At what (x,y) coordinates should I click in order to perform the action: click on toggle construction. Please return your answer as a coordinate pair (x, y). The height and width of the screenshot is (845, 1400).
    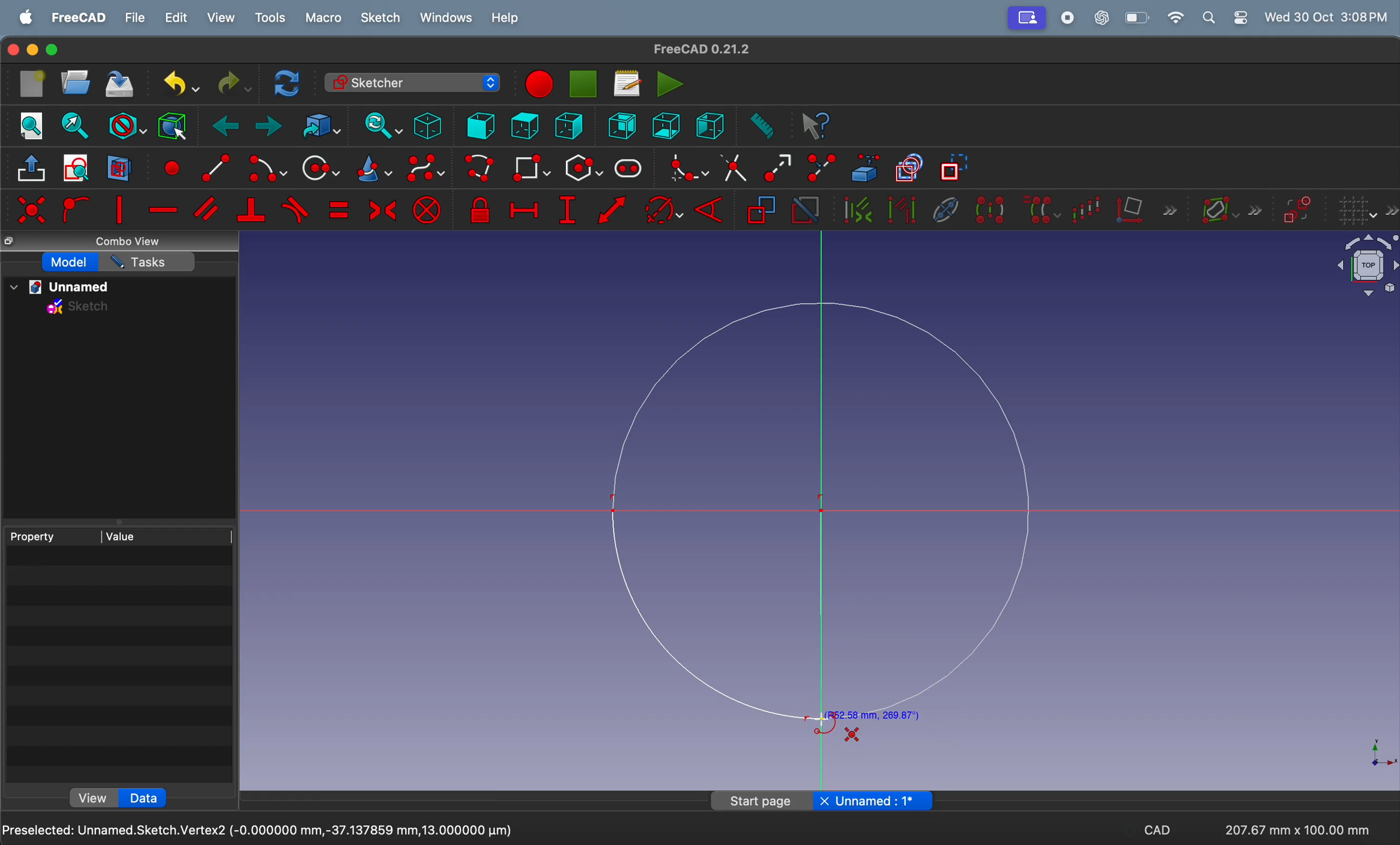
    Looking at the image, I should click on (955, 169).